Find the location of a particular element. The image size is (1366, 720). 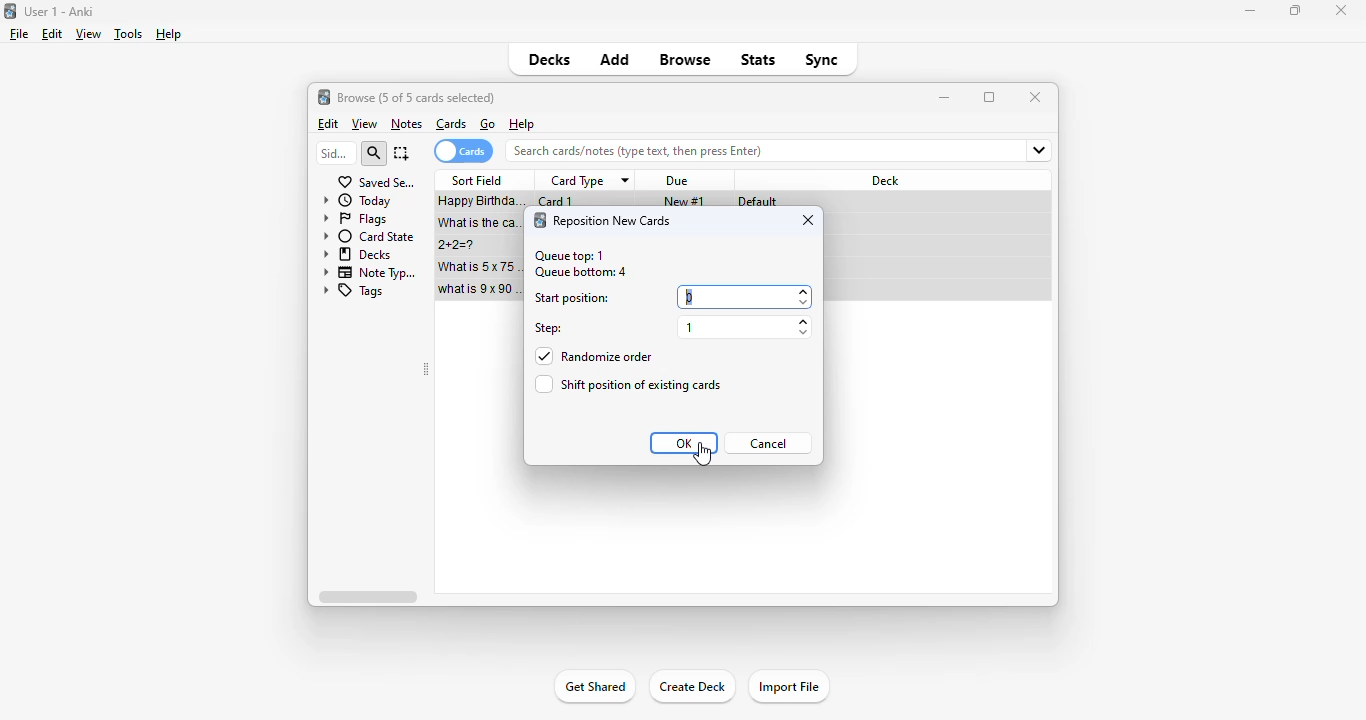

cards is located at coordinates (451, 124).